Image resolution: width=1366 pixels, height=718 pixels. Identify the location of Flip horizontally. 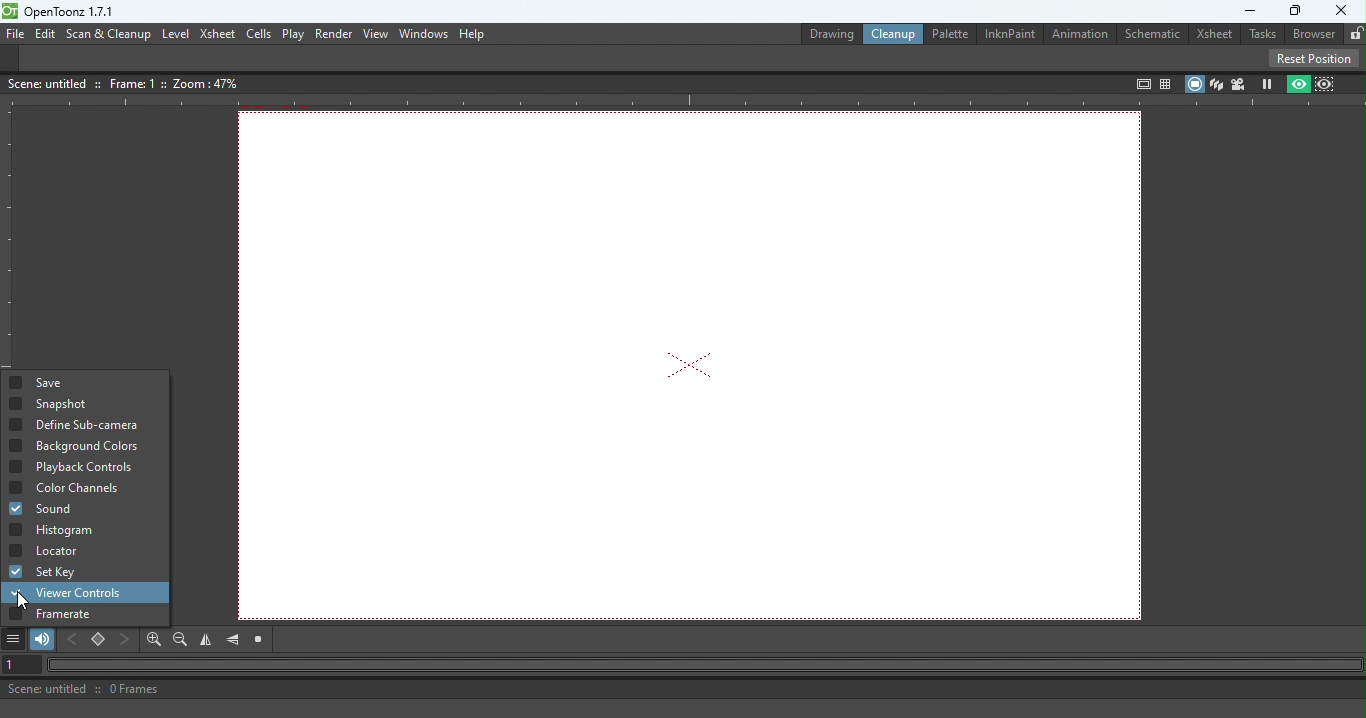
(206, 641).